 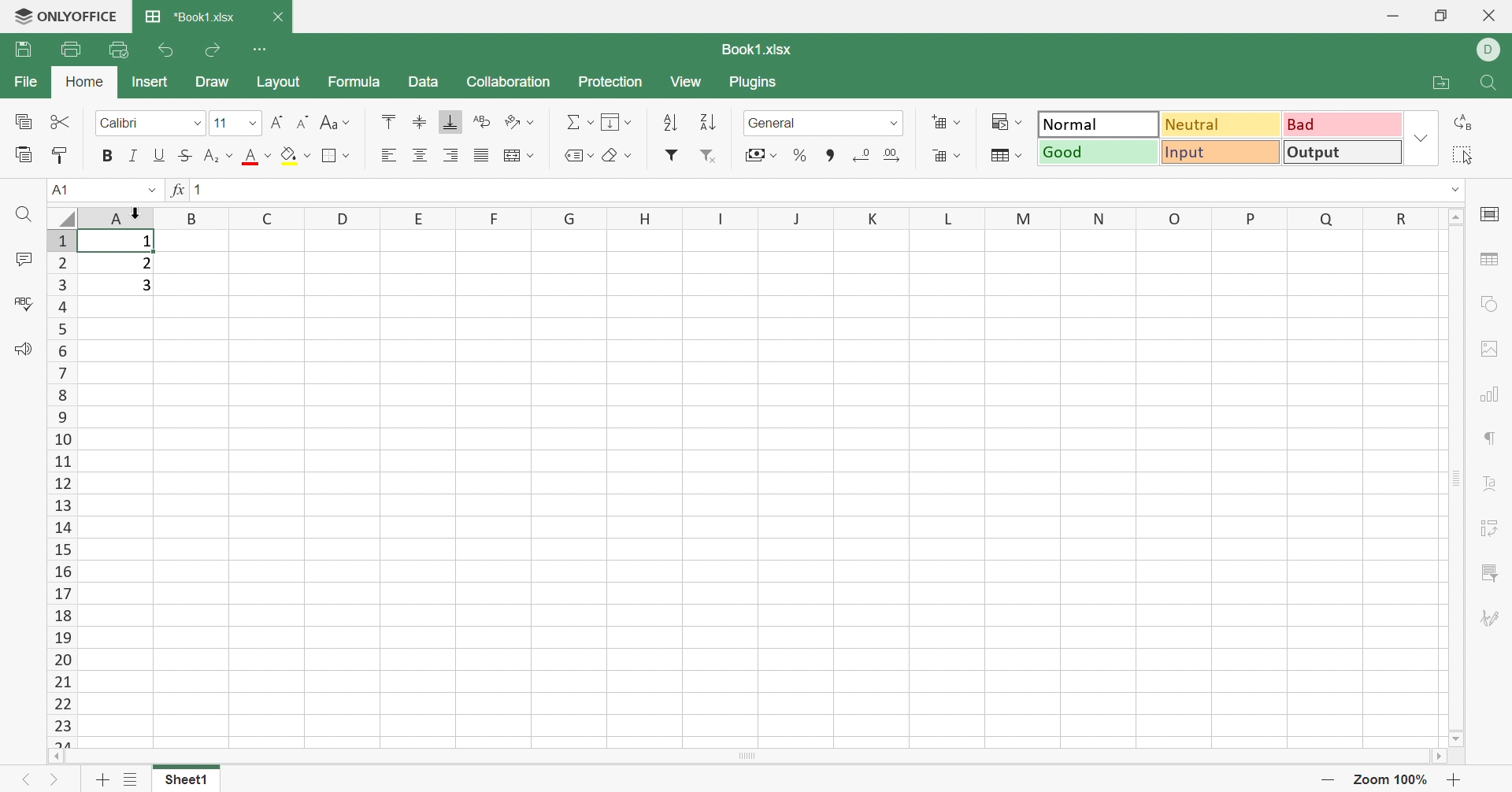 What do you see at coordinates (757, 83) in the screenshot?
I see `Plugins` at bounding box center [757, 83].